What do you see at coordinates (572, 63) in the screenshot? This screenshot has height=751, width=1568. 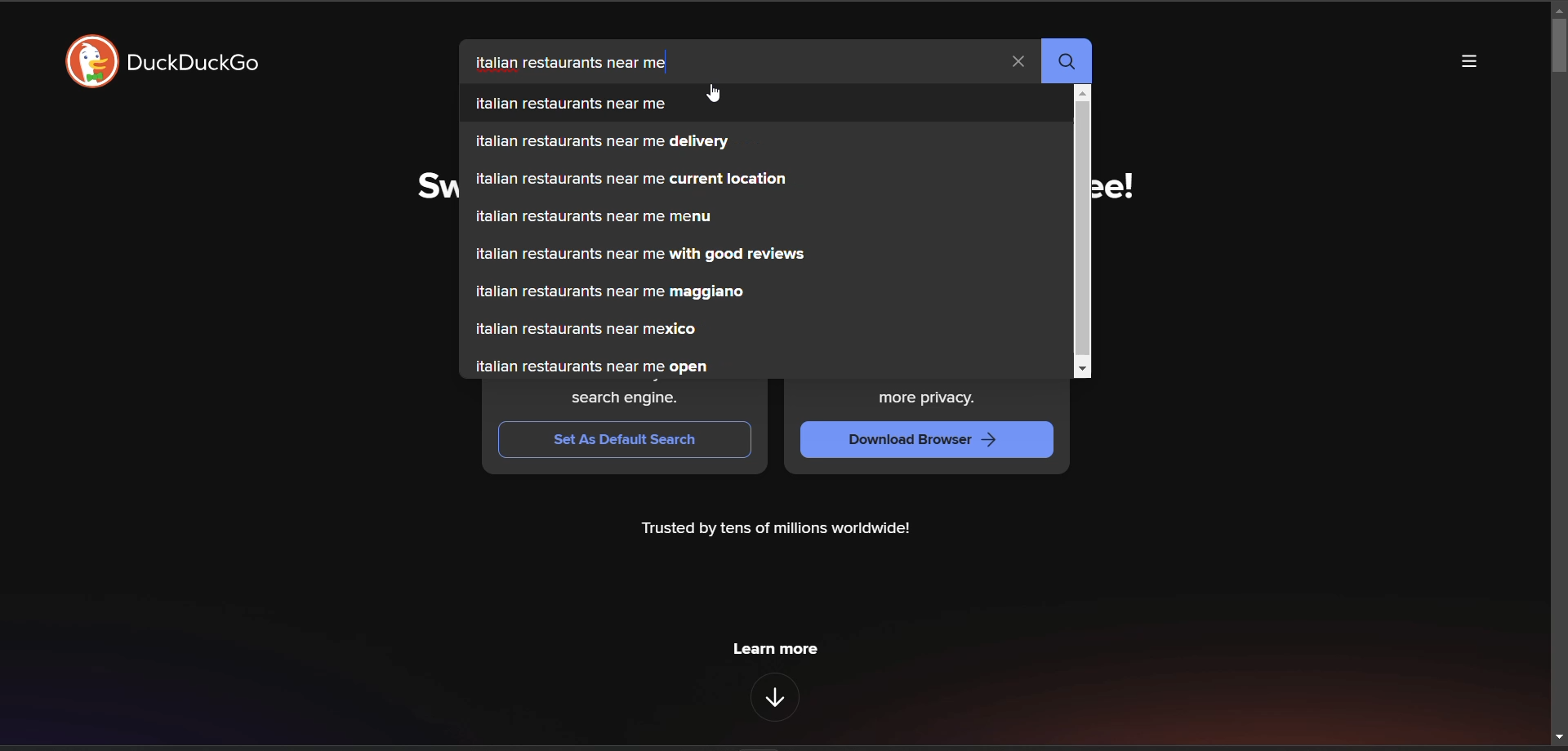 I see `italian restaurants near me` at bounding box center [572, 63].